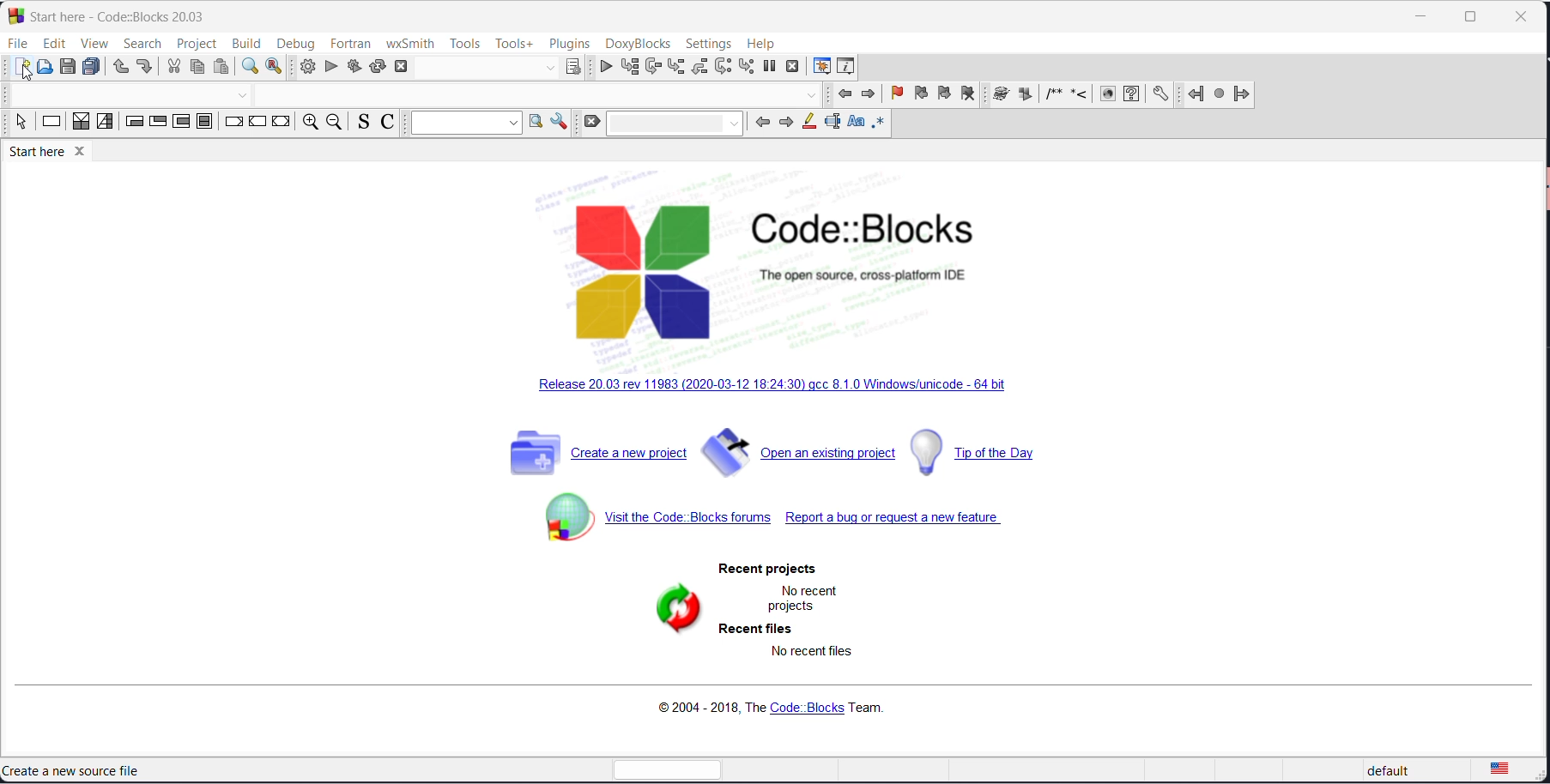 This screenshot has height=784, width=1550. I want to click on step into, so click(675, 67).